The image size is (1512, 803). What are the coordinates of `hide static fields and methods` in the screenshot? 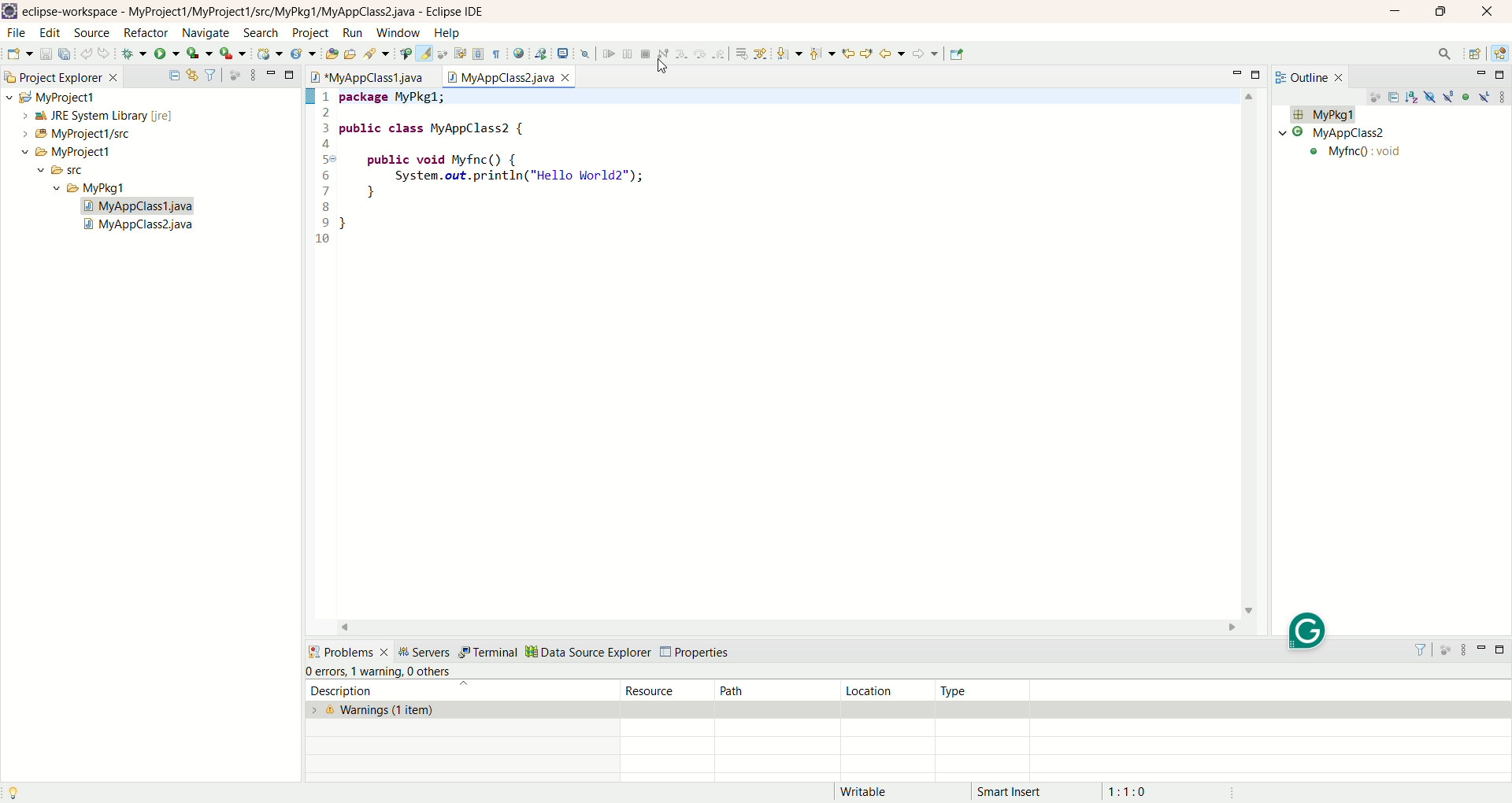 It's located at (1449, 98).